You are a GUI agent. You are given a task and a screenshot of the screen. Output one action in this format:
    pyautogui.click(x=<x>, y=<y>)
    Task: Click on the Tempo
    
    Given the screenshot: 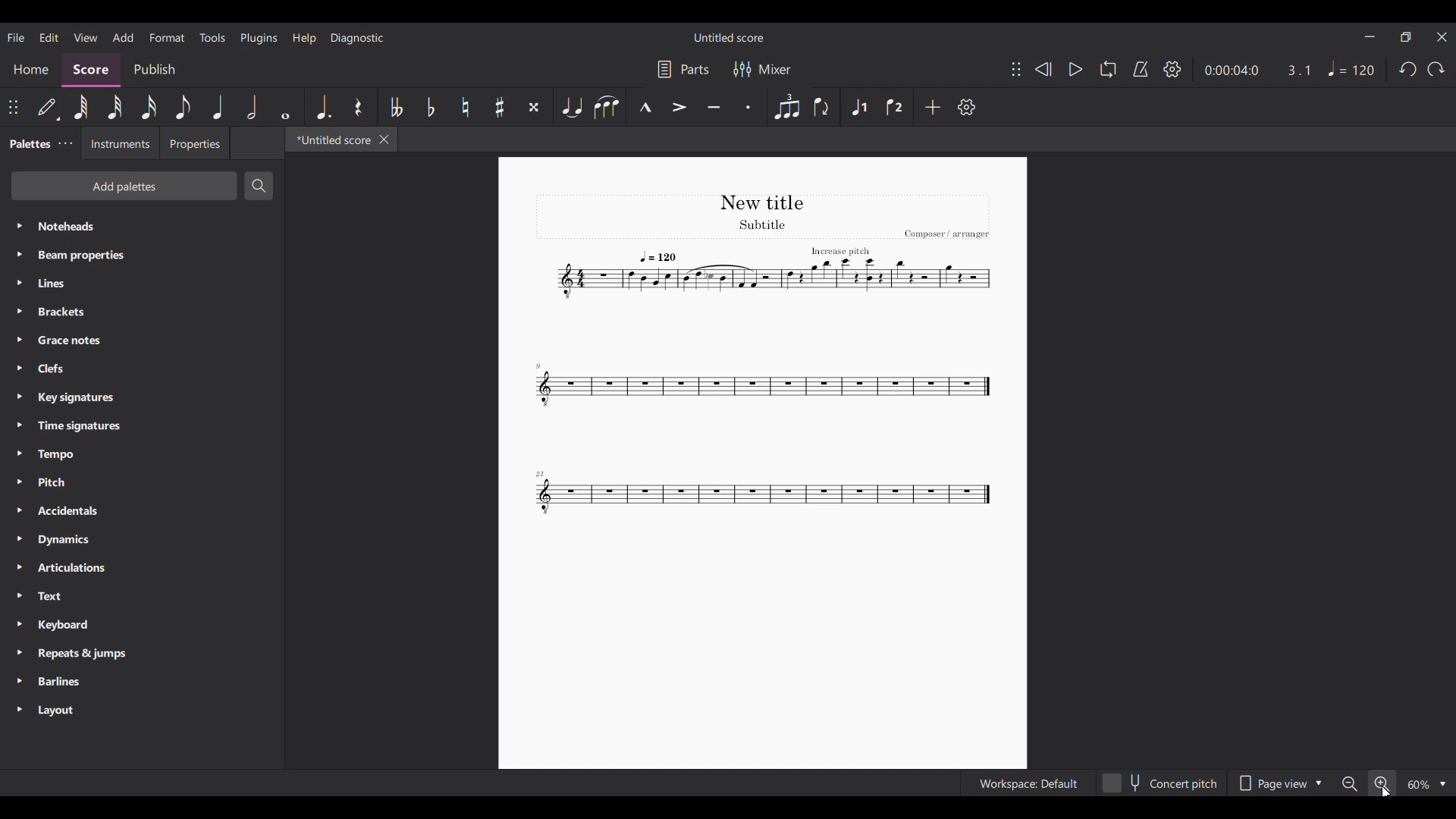 What is the action you would take?
    pyautogui.click(x=142, y=454)
    